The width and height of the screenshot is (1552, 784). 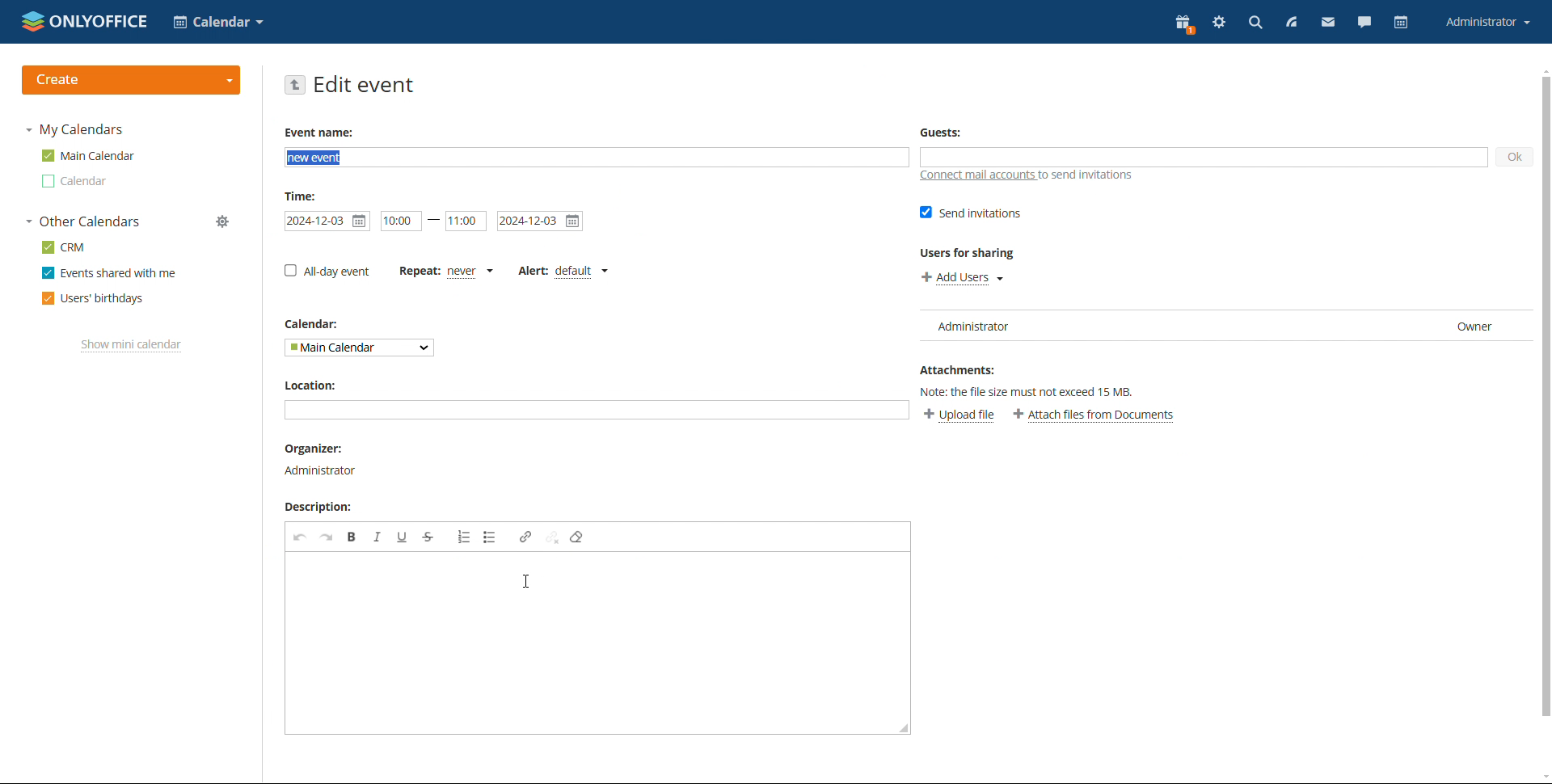 What do you see at coordinates (132, 346) in the screenshot?
I see `show mini calendar` at bounding box center [132, 346].